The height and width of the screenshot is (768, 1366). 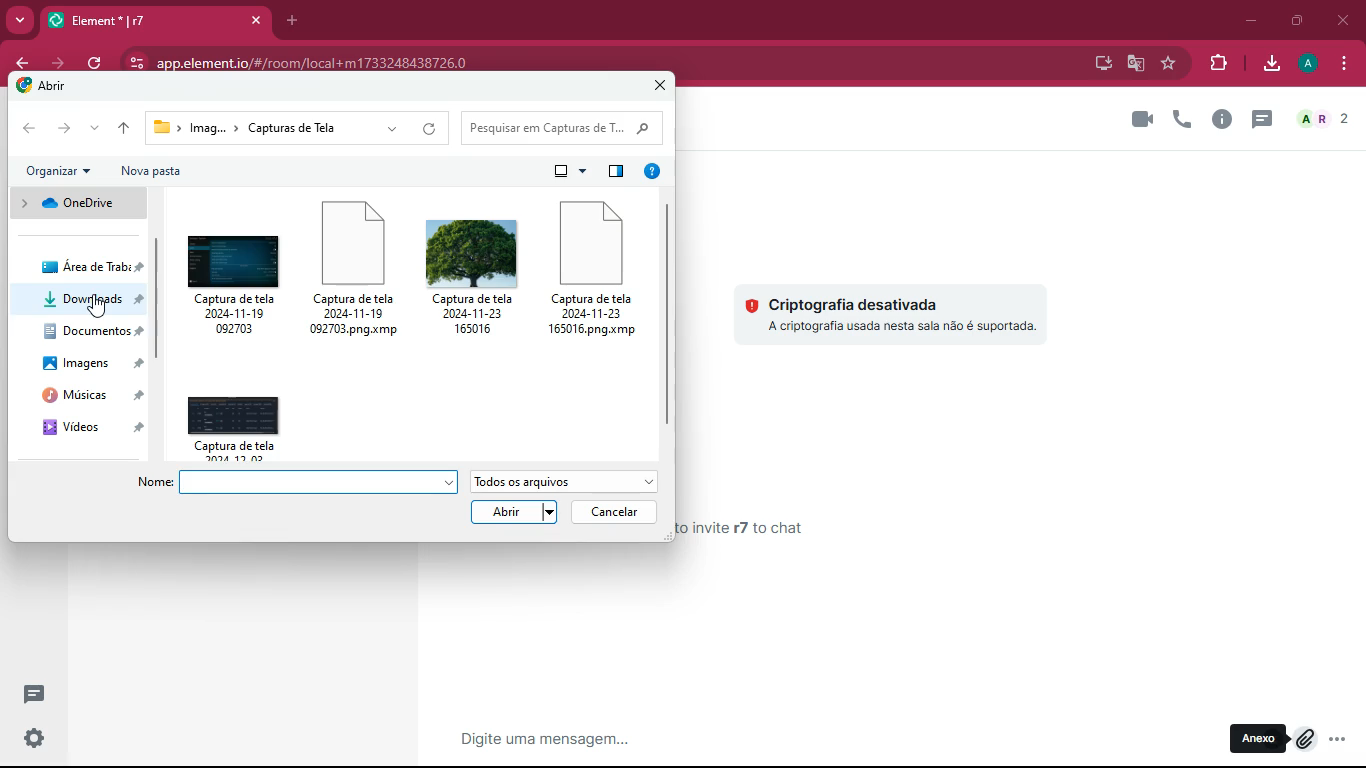 What do you see at coordinates (298, 128) in the screenshot?
I see `> imag...>capturas de tela` at bounding box center [298, 128].